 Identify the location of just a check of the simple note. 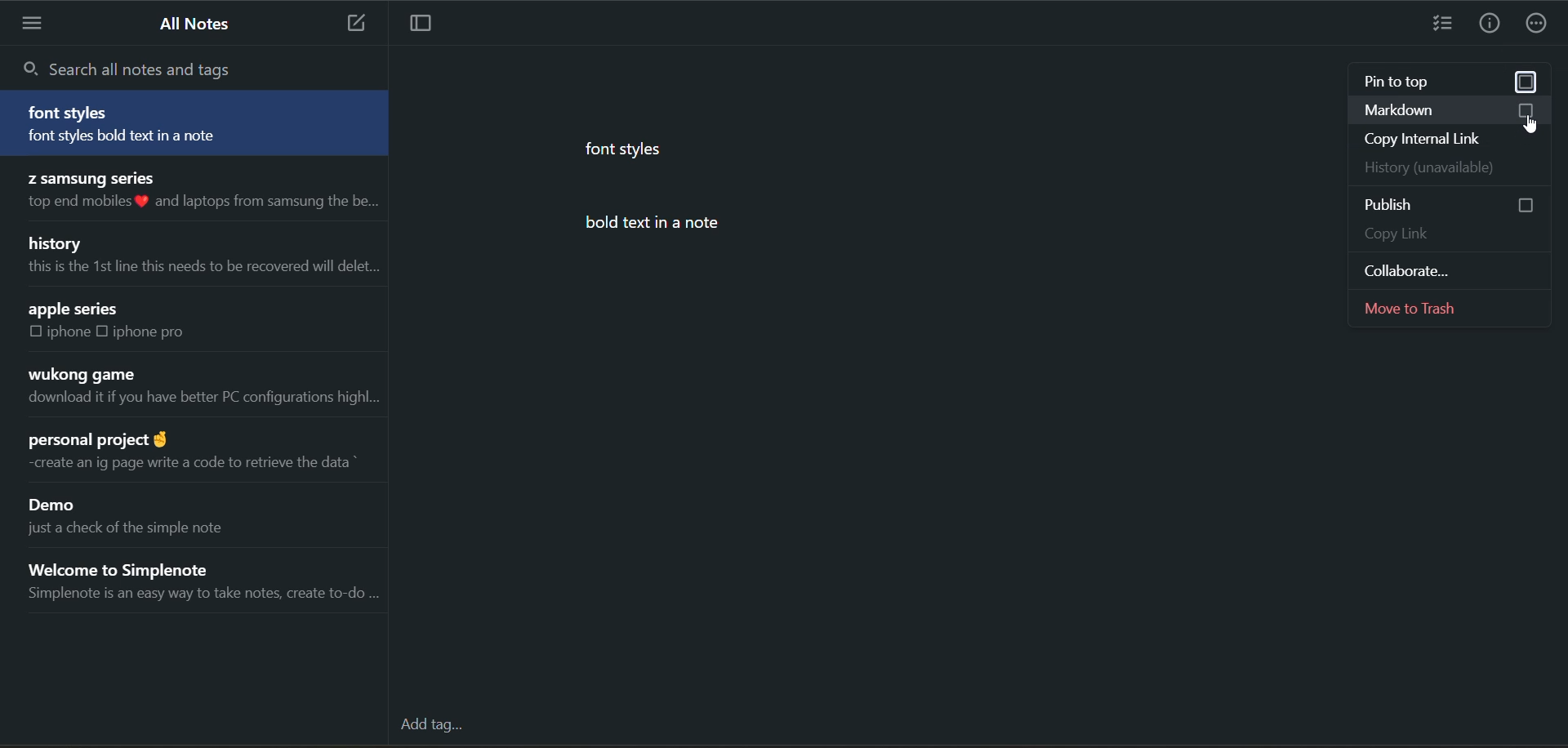
(141, 532).